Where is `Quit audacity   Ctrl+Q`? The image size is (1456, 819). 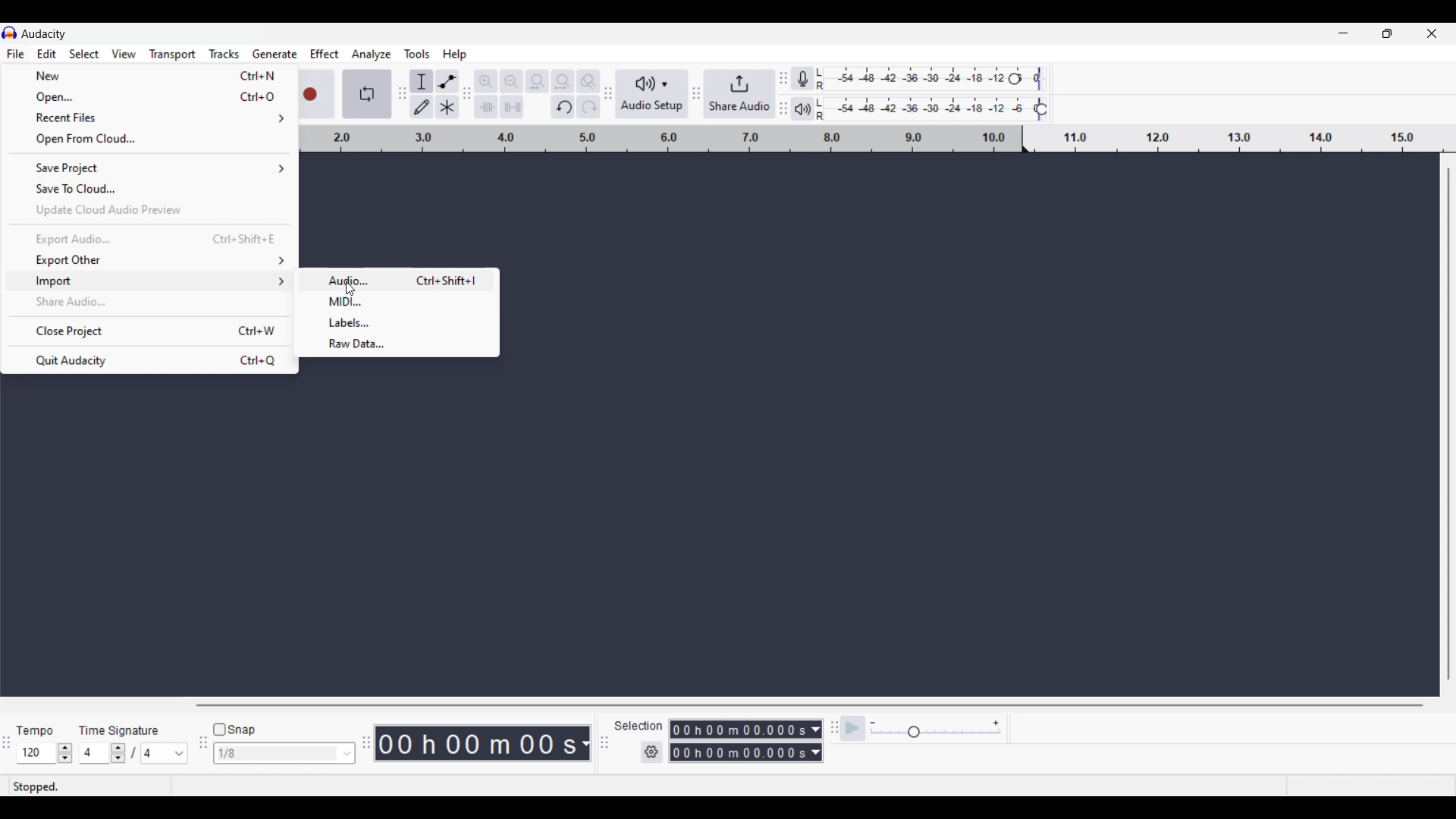 Quit audacity   Ctrl+Q is located at coordinates (149, 360).